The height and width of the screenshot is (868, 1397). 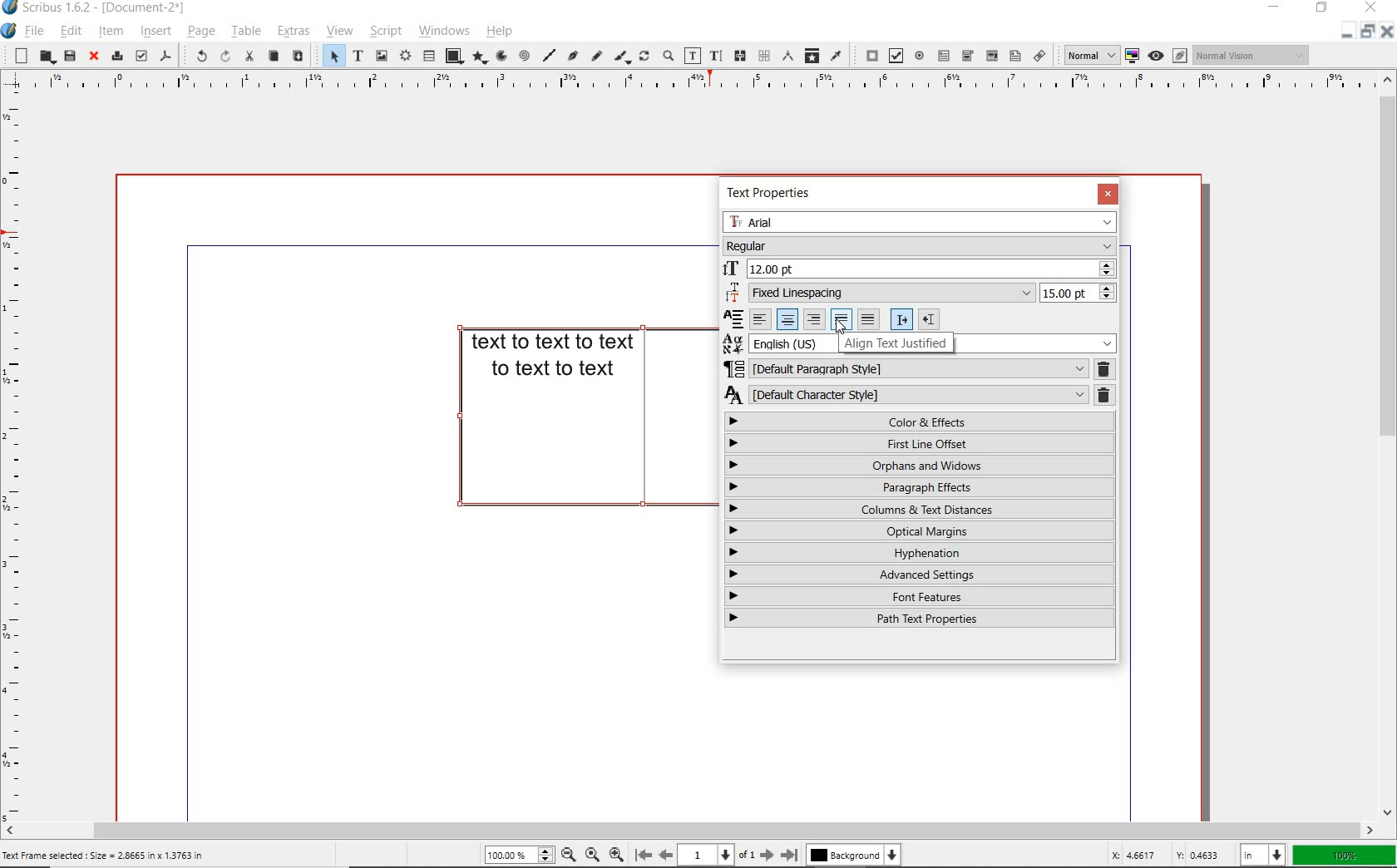 I want to click on zoom factor, so click(x=1343, y=854).